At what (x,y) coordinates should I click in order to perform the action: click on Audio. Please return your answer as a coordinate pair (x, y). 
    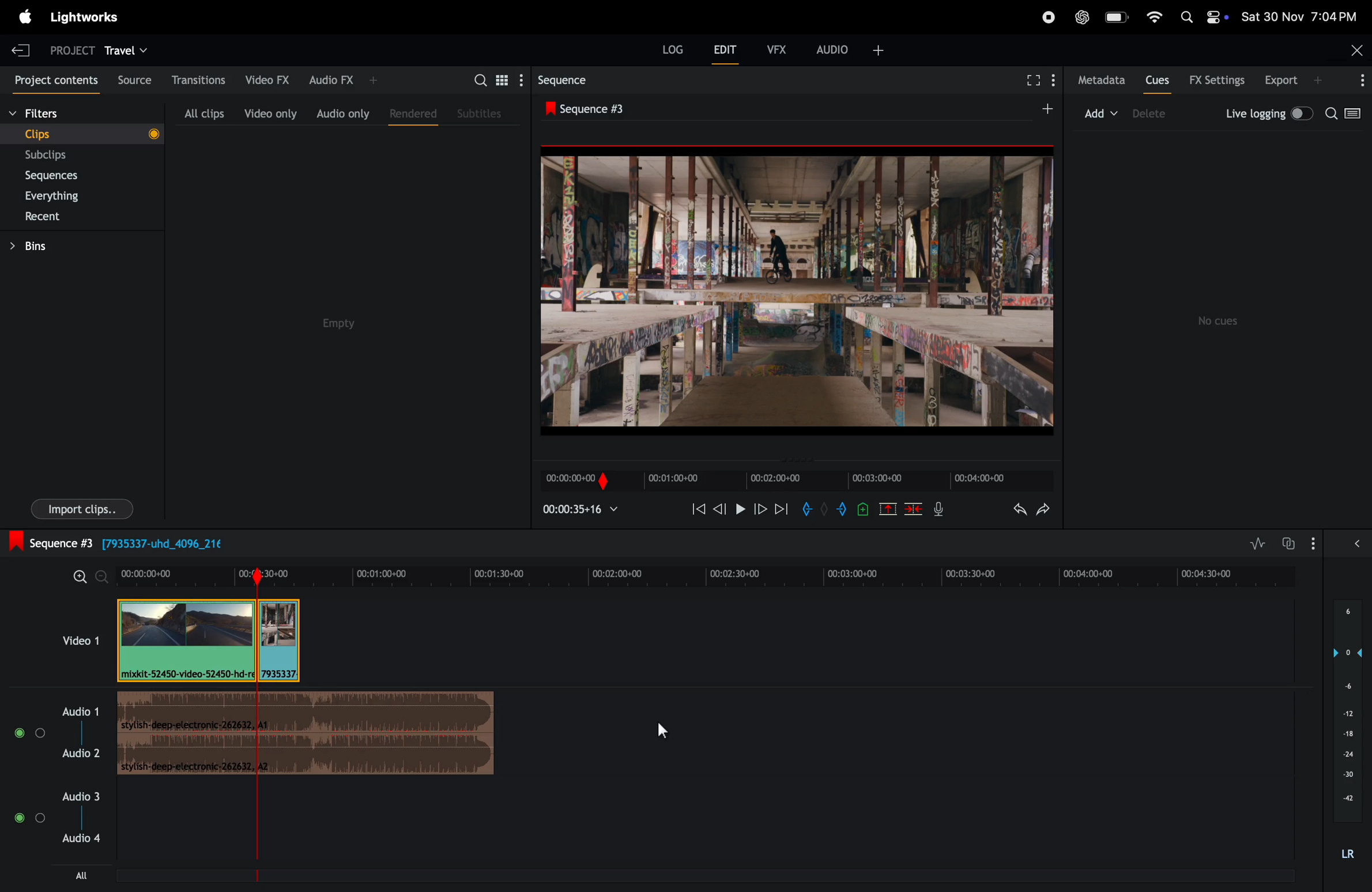
    Looking at the image, I should click on (29, 818).